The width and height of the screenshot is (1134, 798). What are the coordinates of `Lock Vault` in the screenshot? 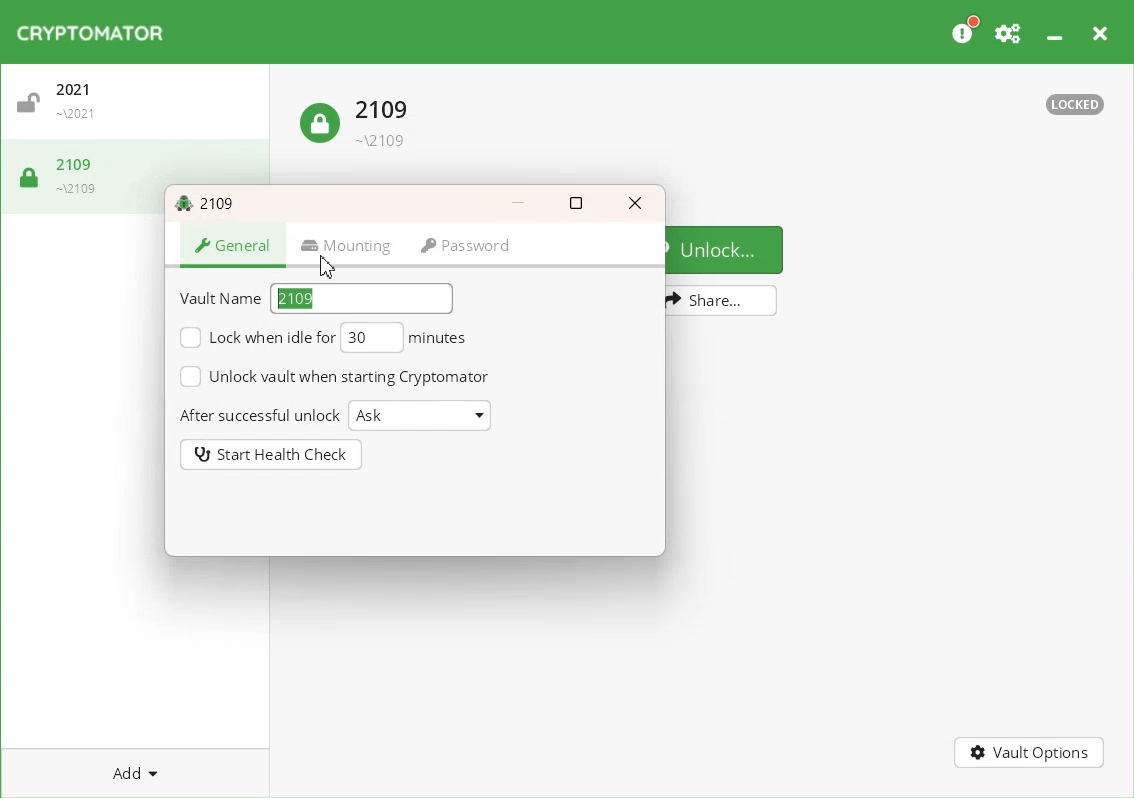 It's located at (67, 174).